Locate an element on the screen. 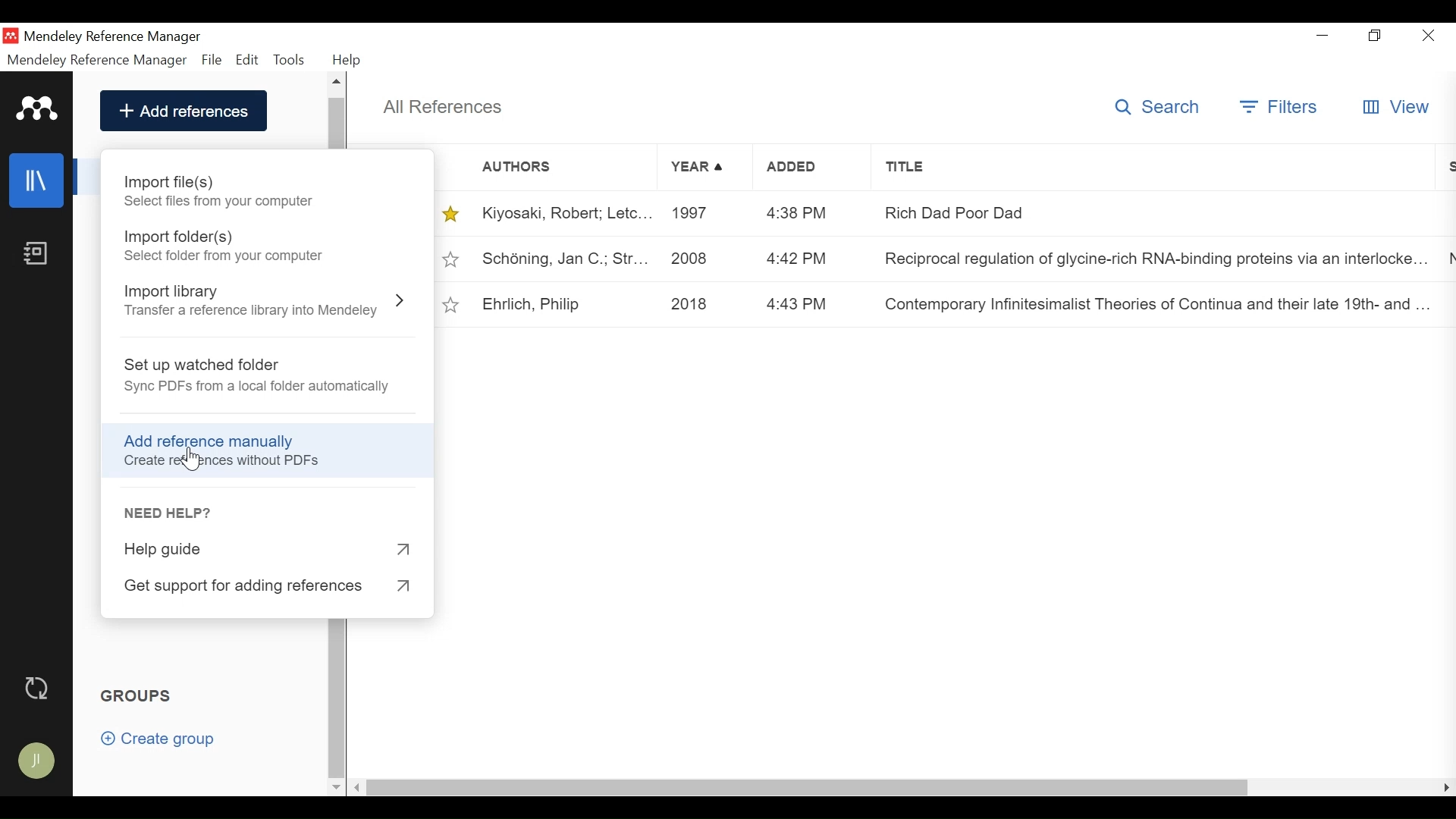 The image size is (1456, 819). 2008 is located at coordinates (694, 259).